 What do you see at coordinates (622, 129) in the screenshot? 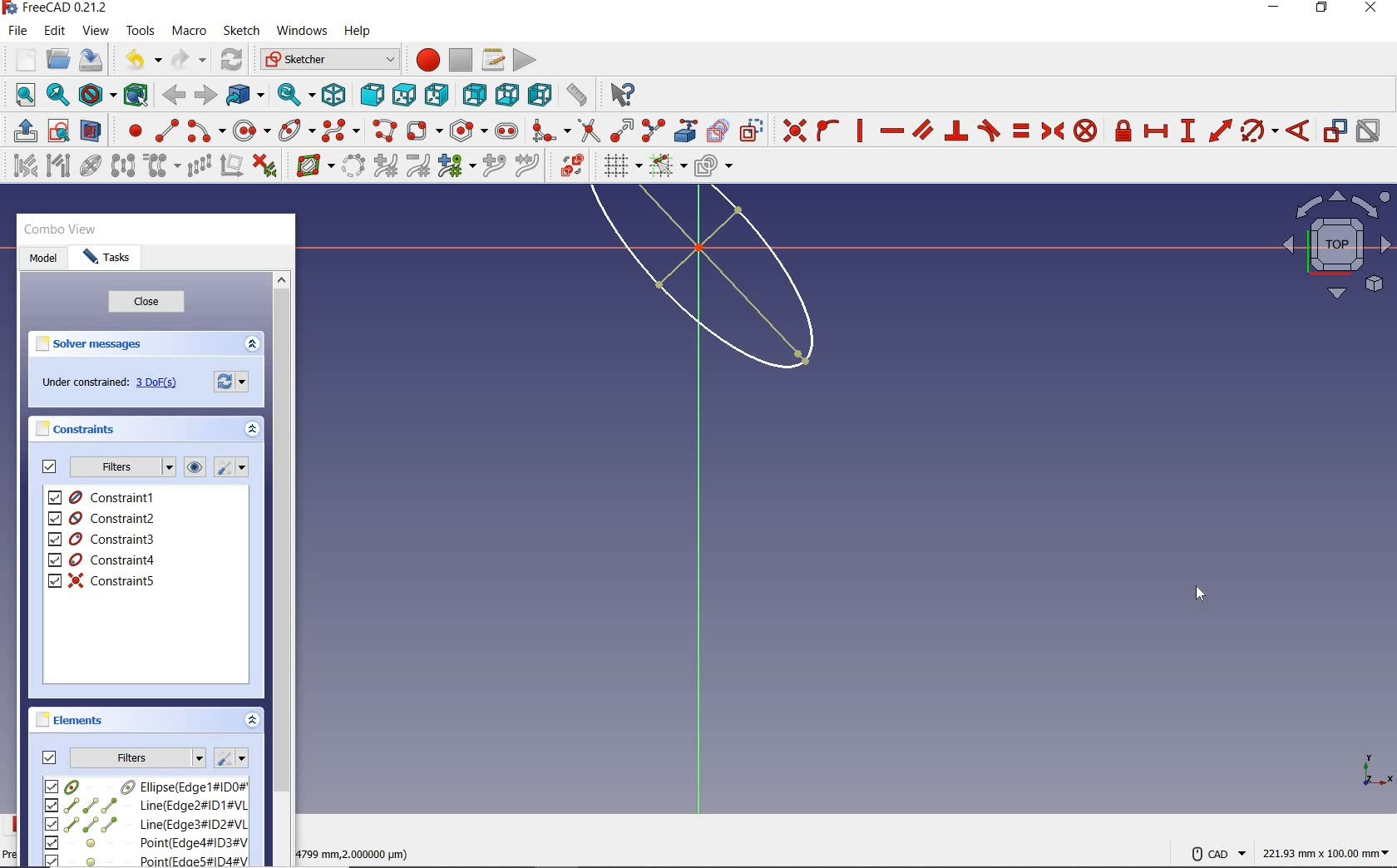
I see `extend edge` at bounding box center [622, 129].